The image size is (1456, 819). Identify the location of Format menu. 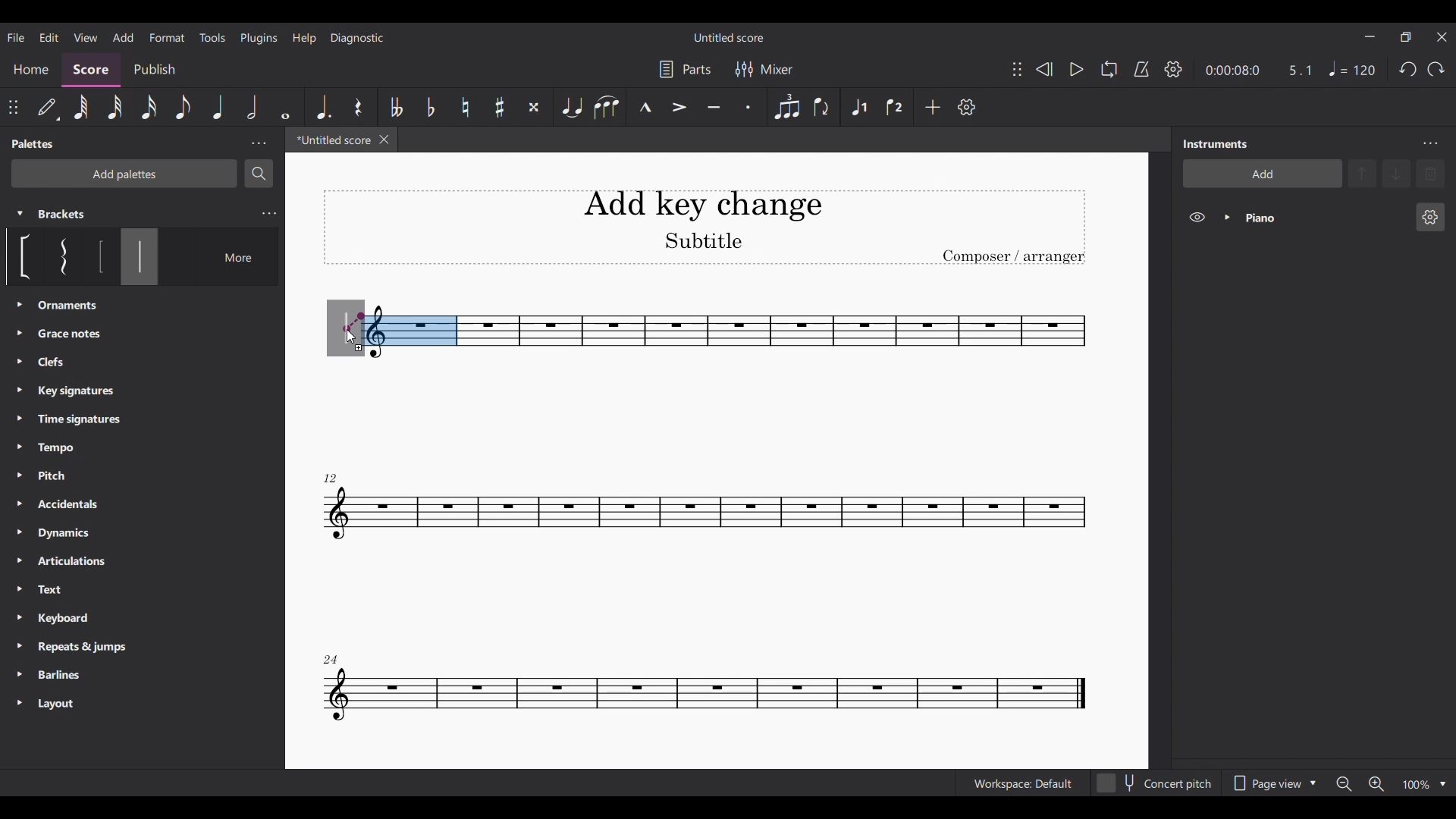
(167, 36).